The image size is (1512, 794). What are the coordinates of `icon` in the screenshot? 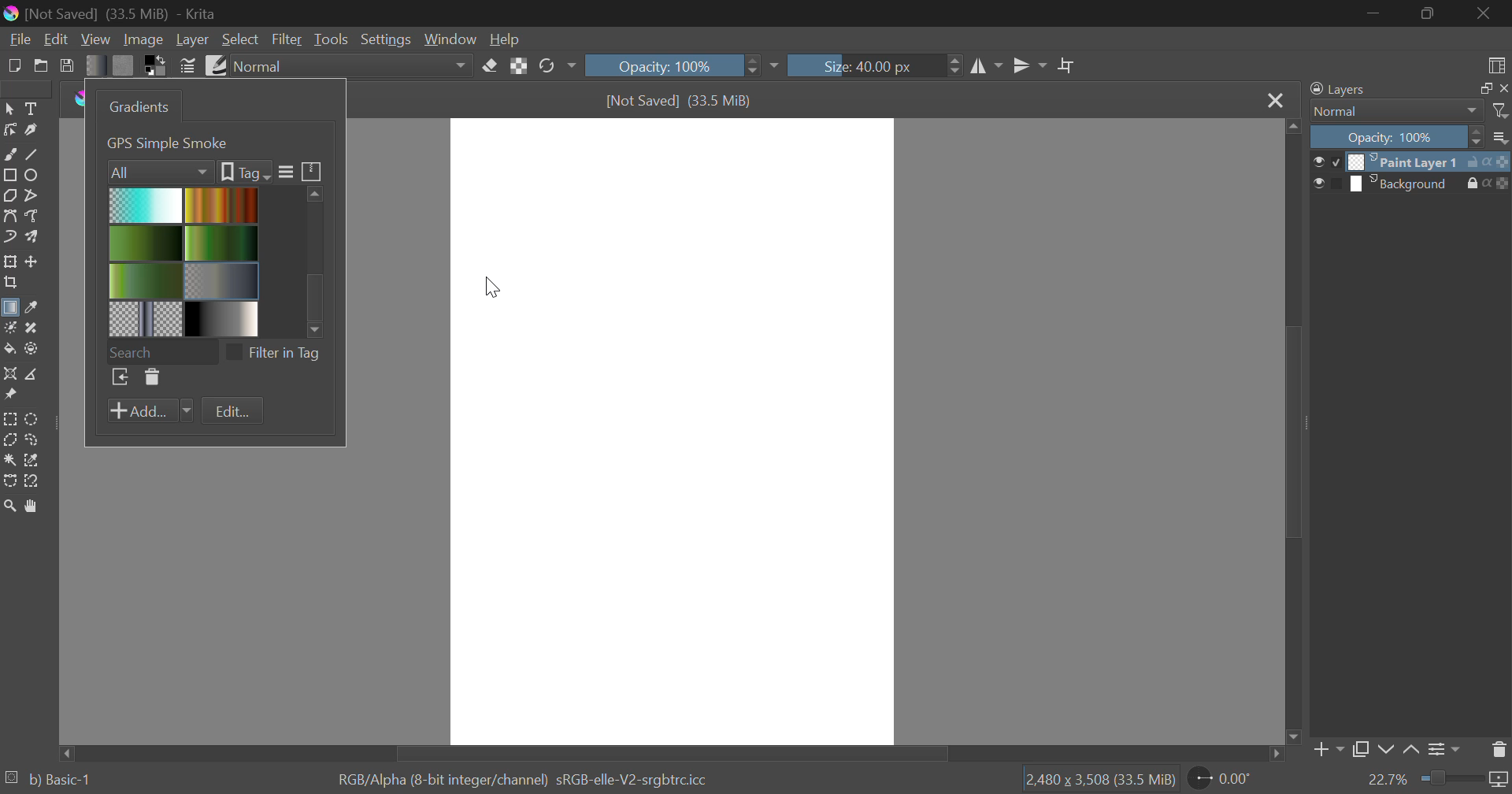 It's located at (1499, 161).